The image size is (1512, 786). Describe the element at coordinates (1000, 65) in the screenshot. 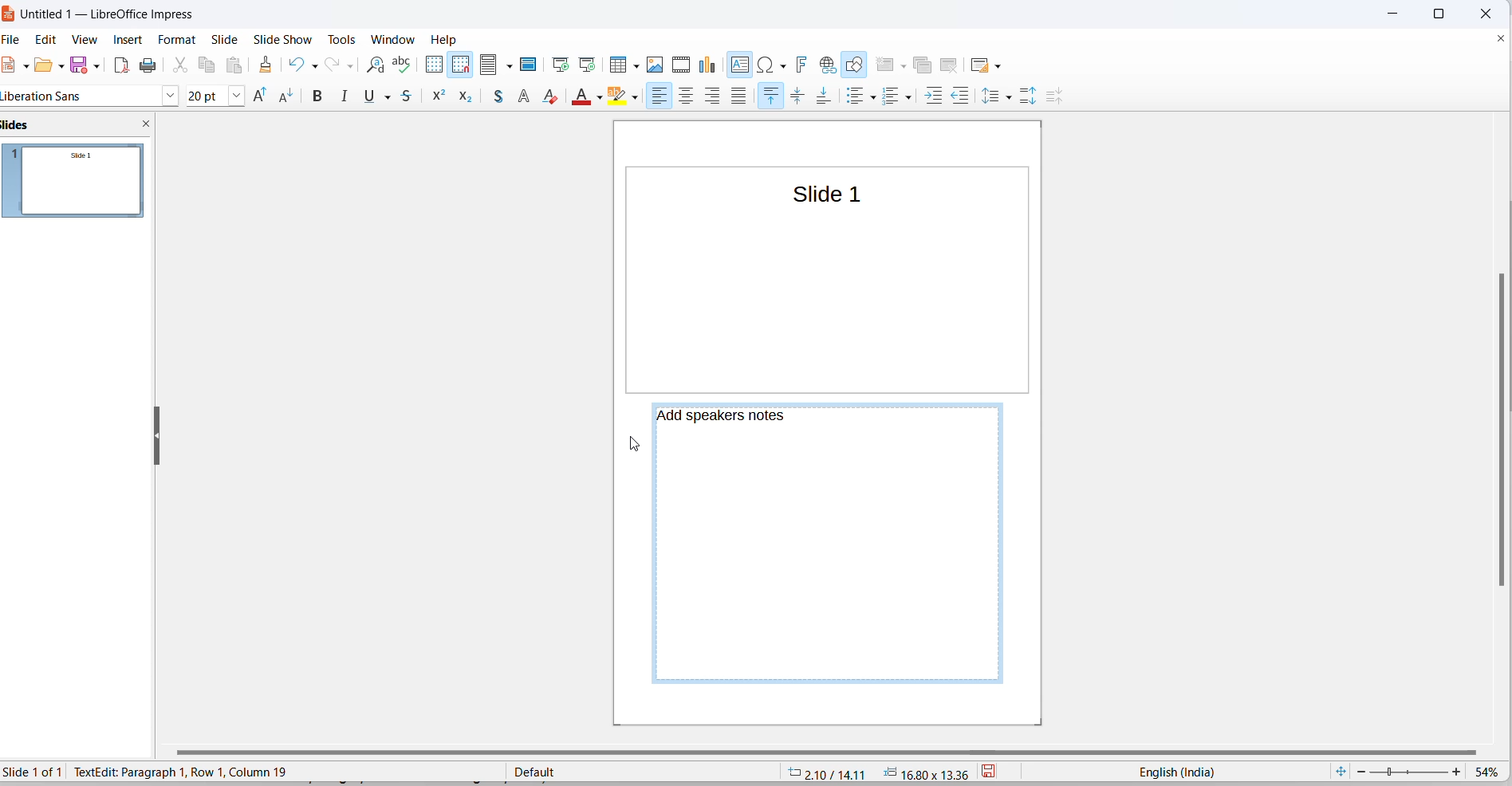

I see `slide layout options` at that location.